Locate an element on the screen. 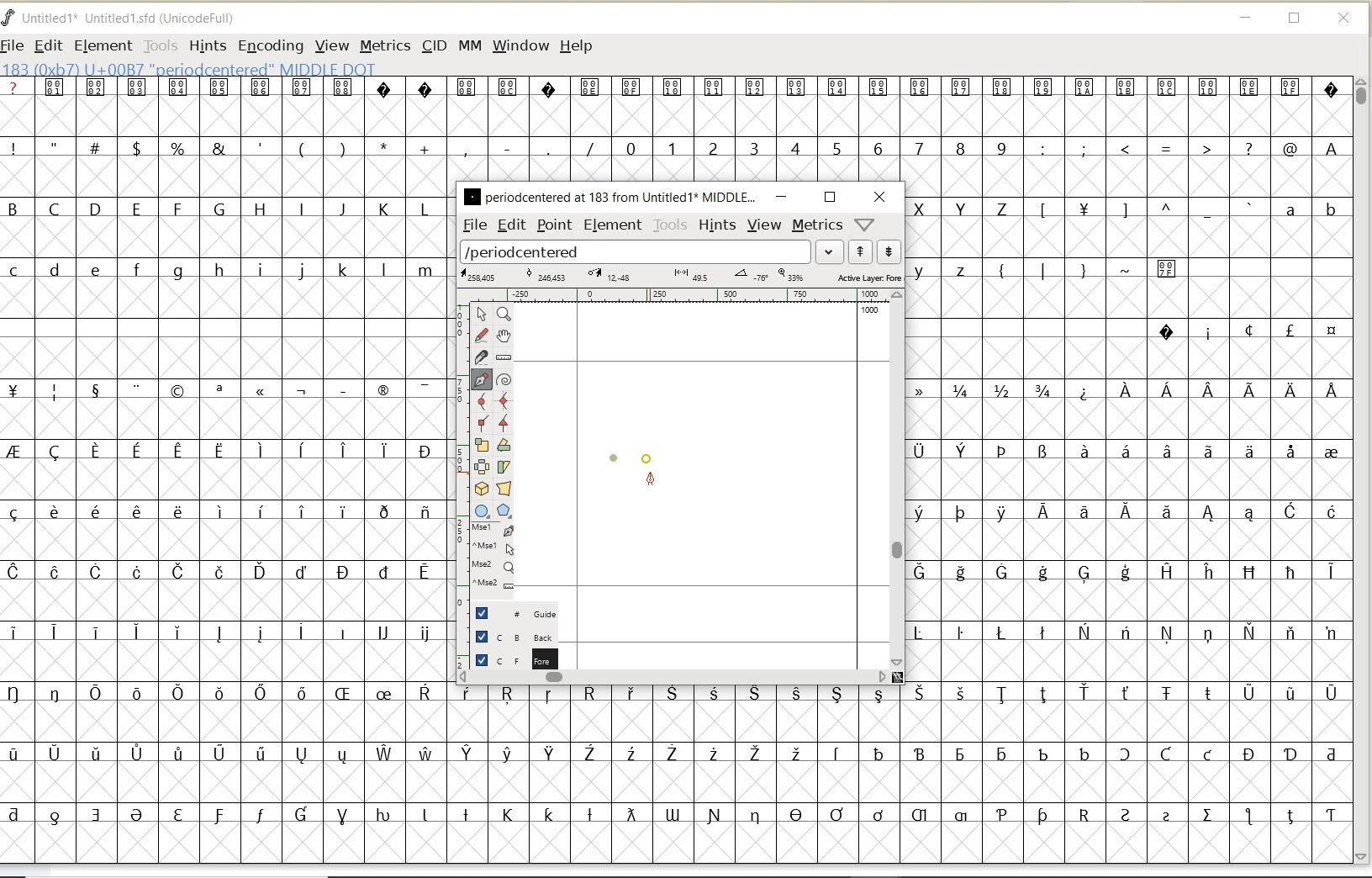 This screenshot has width=1372, height=878. file is located at coordinates (472, 225).